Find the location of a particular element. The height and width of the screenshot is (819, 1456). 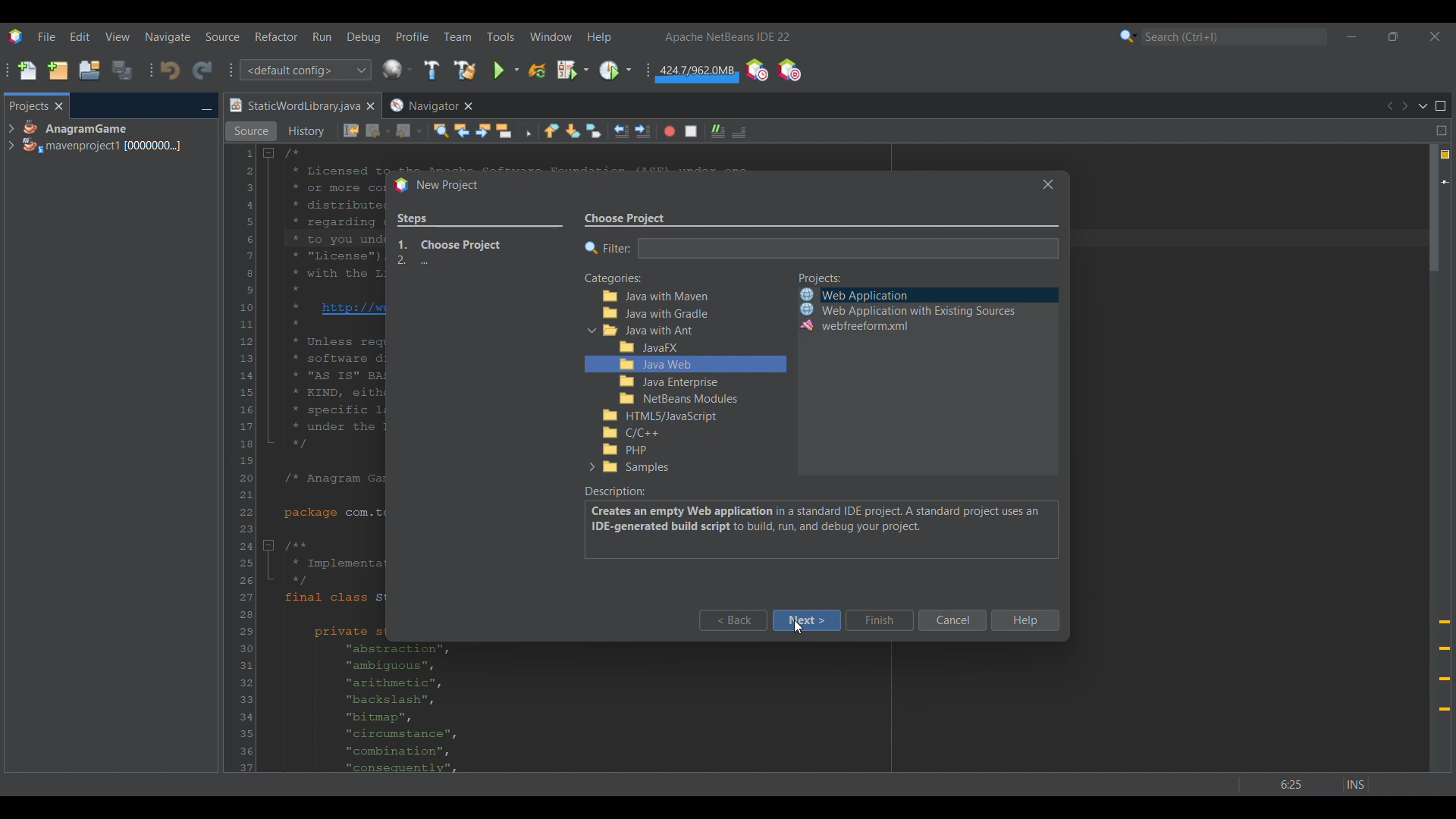

Help menu is located at coordinates (599, 37).